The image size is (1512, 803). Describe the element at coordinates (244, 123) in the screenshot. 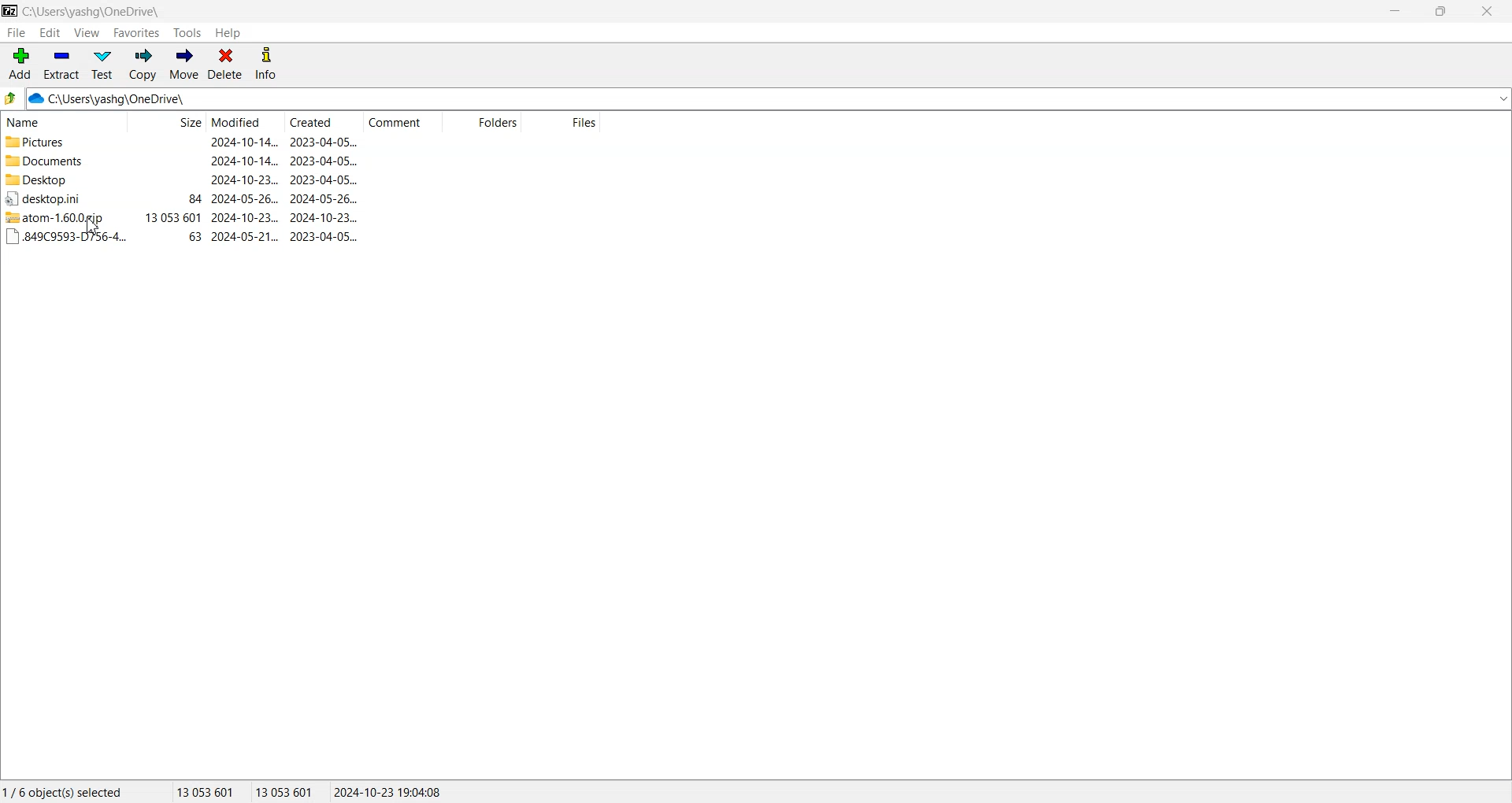

I see `Modified date` at that location.